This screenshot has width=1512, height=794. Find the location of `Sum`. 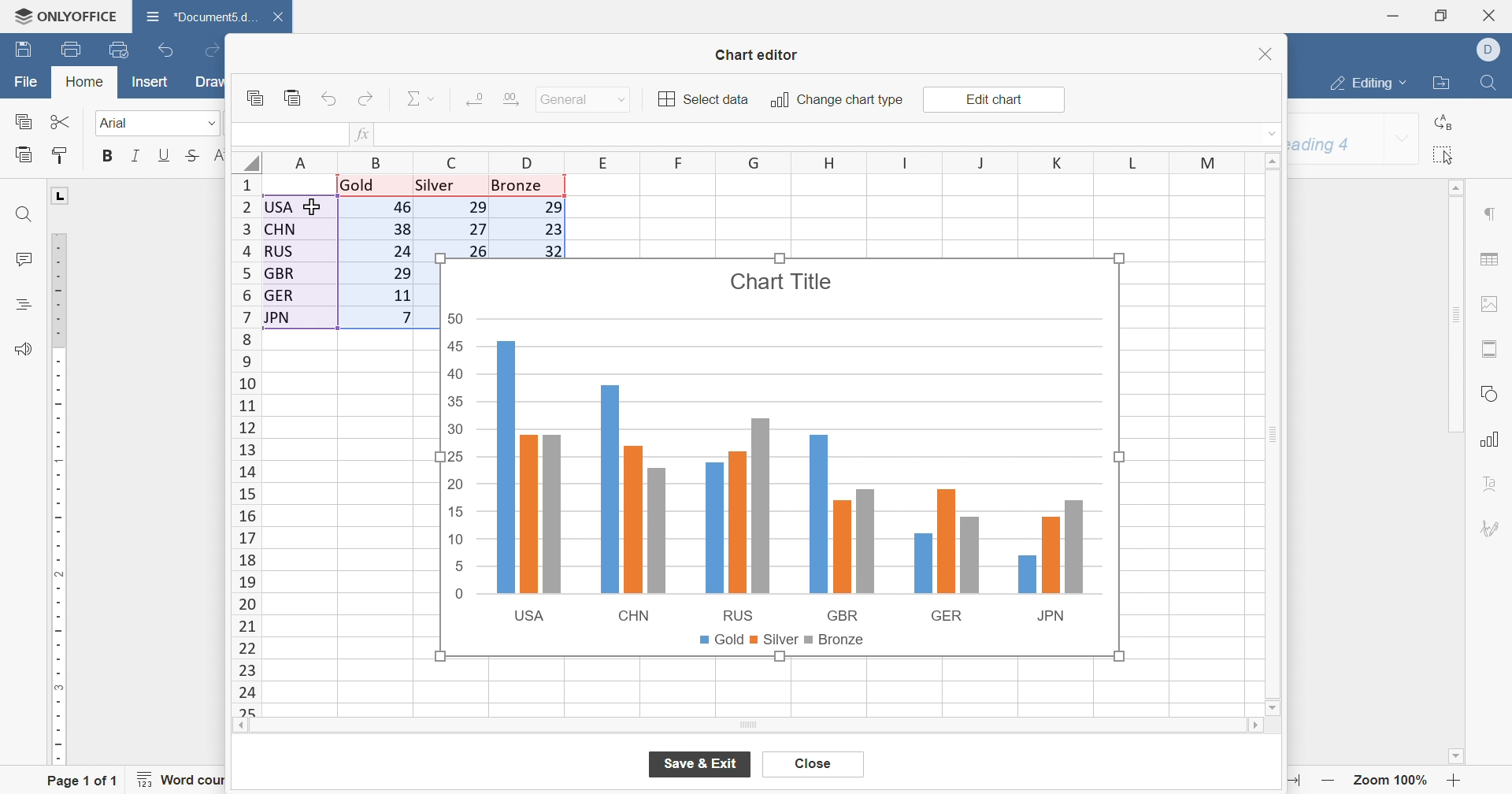

Sum is located at coordinates (423, 98).